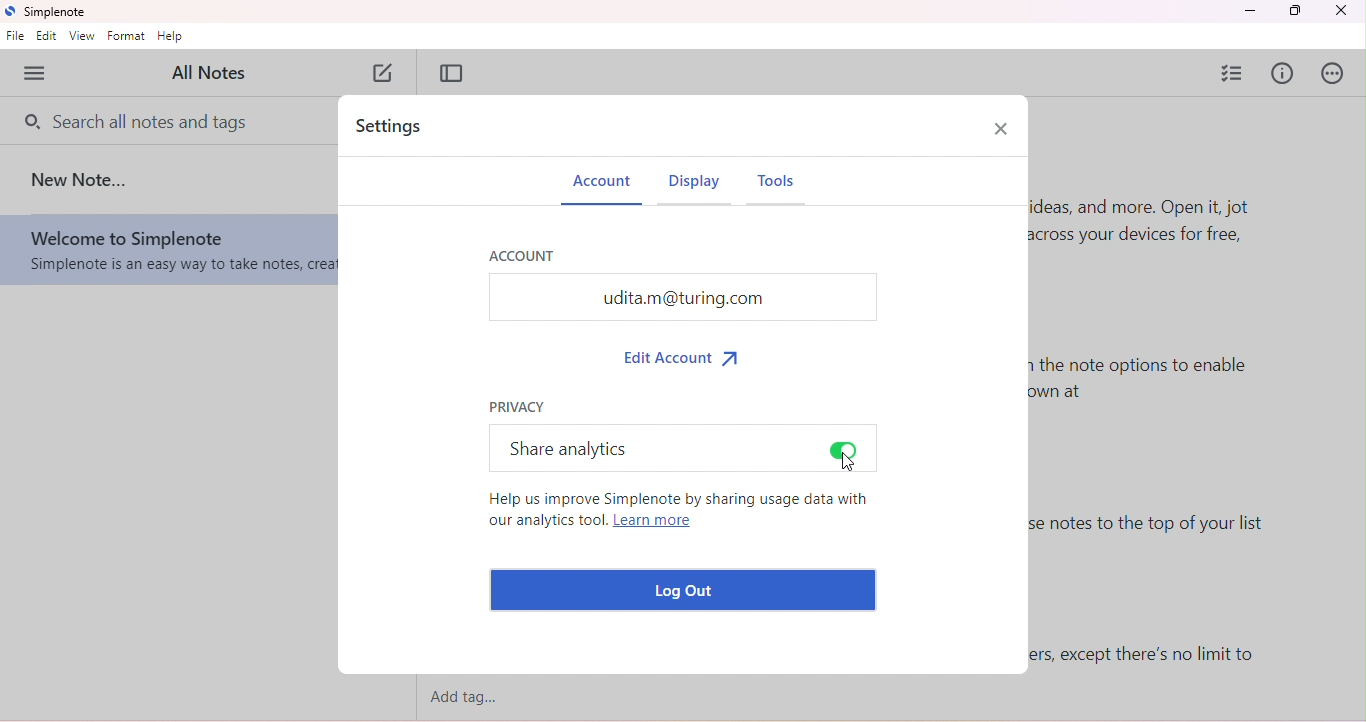  What do you see at coordinates (602, 185) in the screenshot?
I see `account` at bounding box center [602, 185].